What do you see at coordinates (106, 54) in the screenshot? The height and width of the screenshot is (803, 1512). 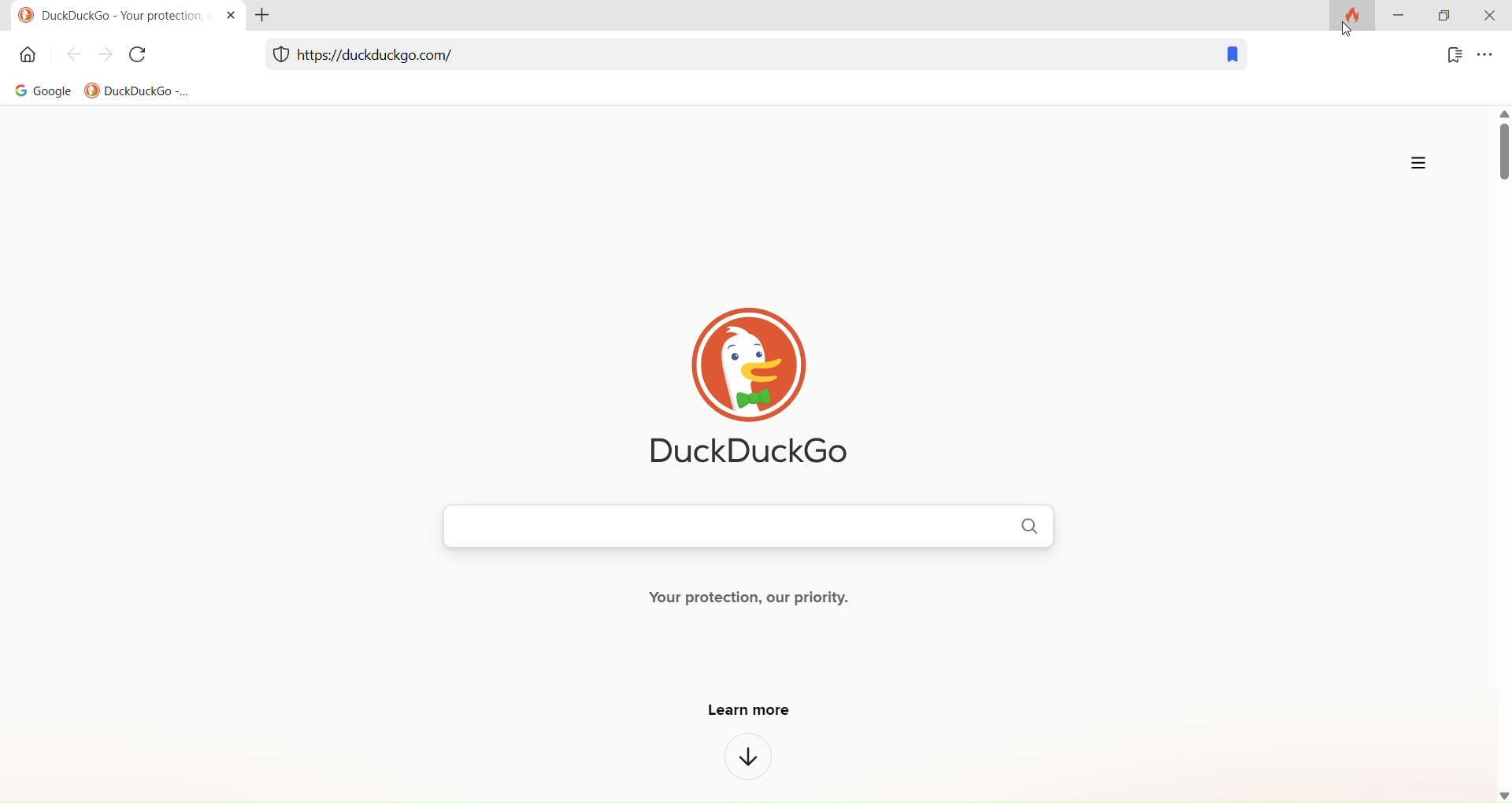 I see `forward` at bounding box center [106, 54].